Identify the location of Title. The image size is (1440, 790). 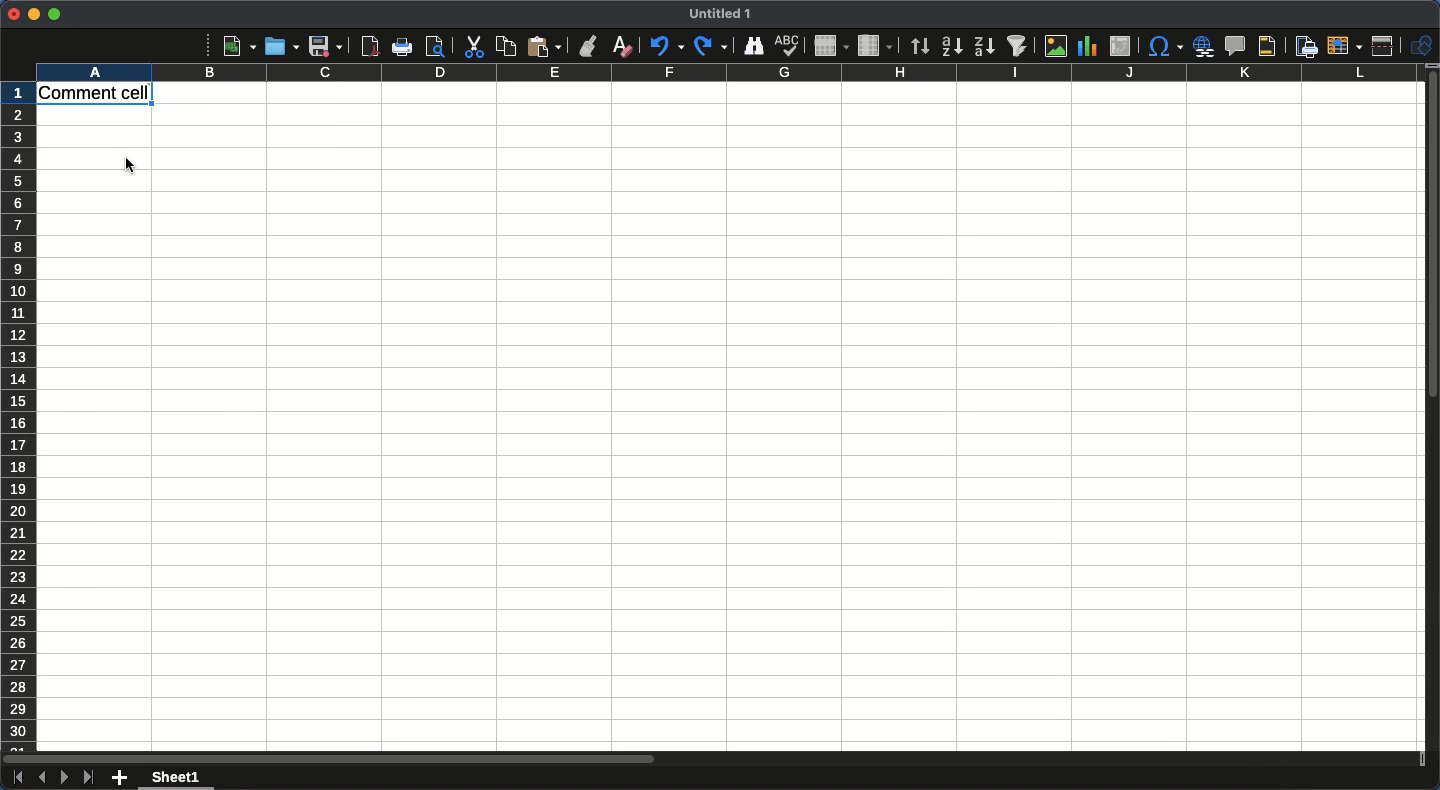
(722, 14).